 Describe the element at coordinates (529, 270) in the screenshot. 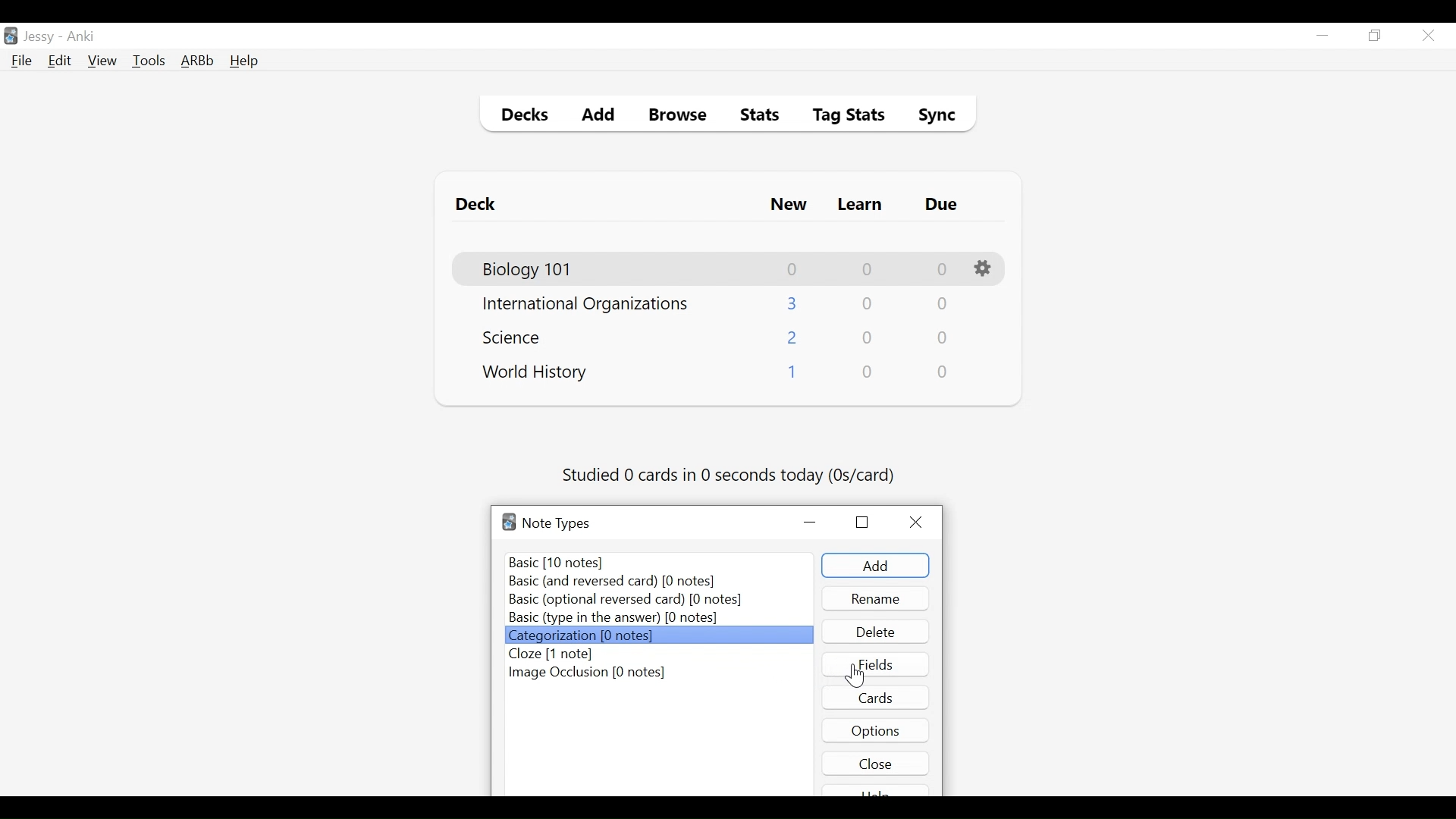

I see `Deck Name` at that location.